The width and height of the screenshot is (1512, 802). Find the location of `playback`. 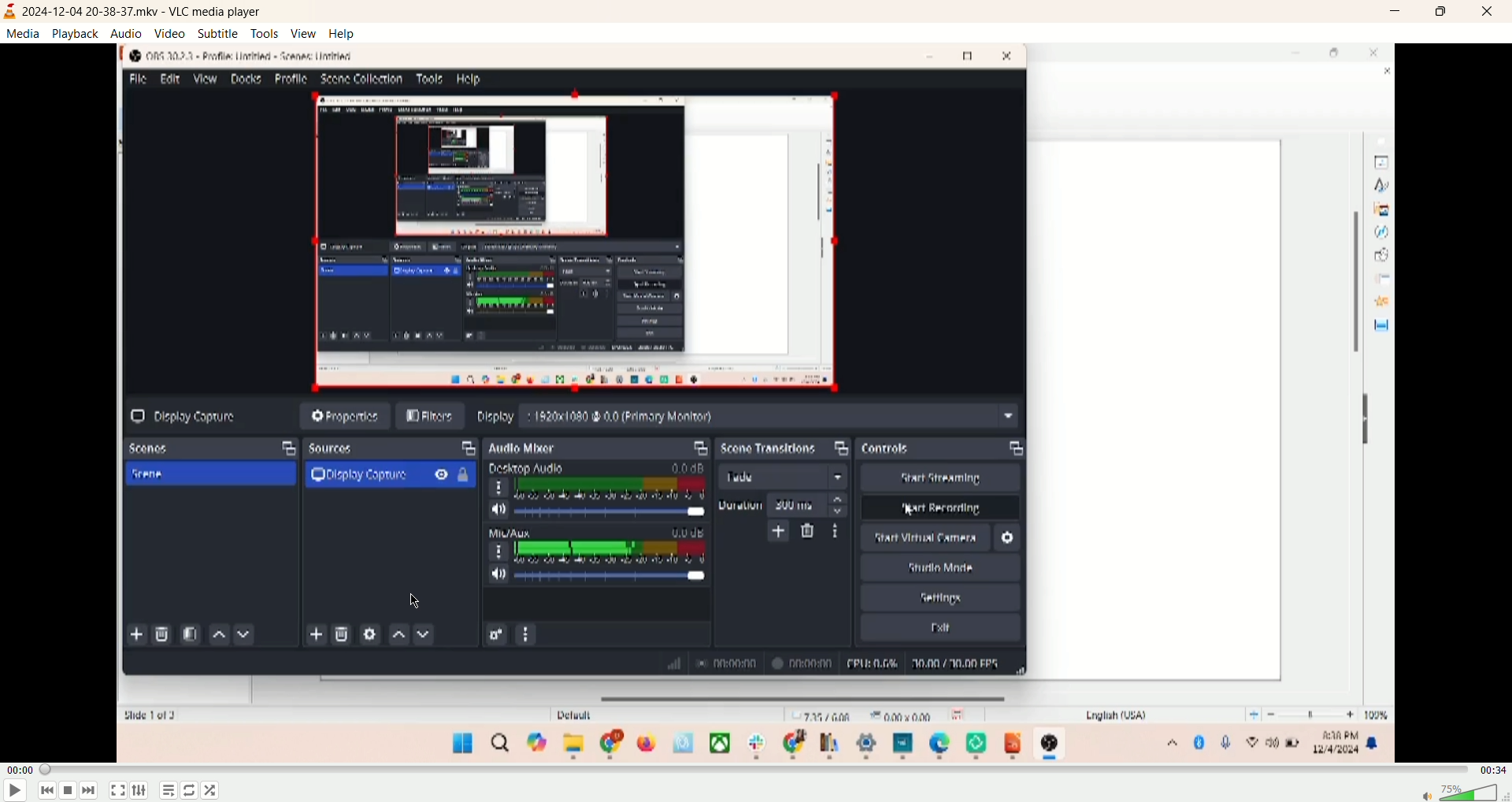

playback is located at coordinates (75, 32).